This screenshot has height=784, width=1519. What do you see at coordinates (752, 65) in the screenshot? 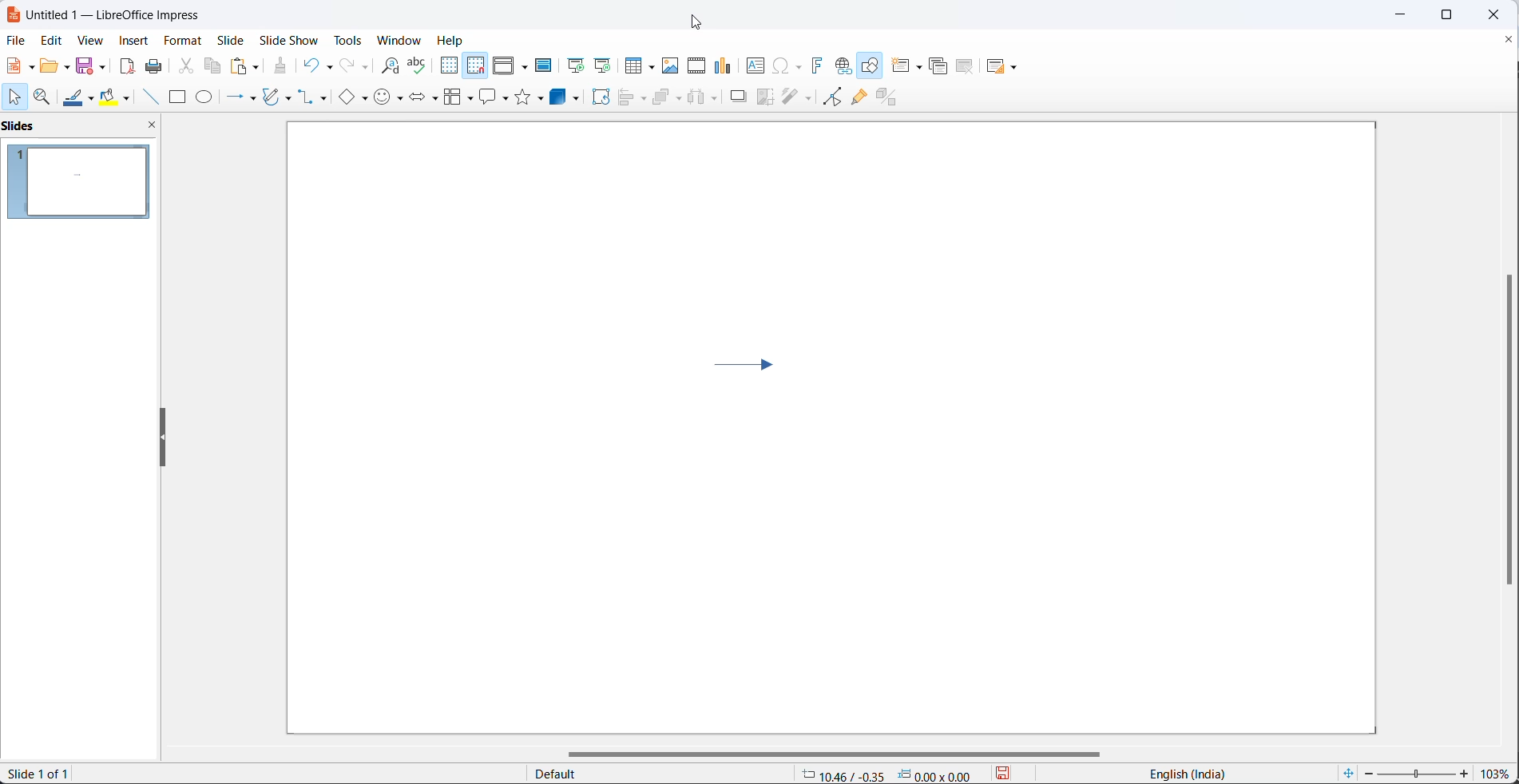
I see `insert text` at bounding box center [752, 65].